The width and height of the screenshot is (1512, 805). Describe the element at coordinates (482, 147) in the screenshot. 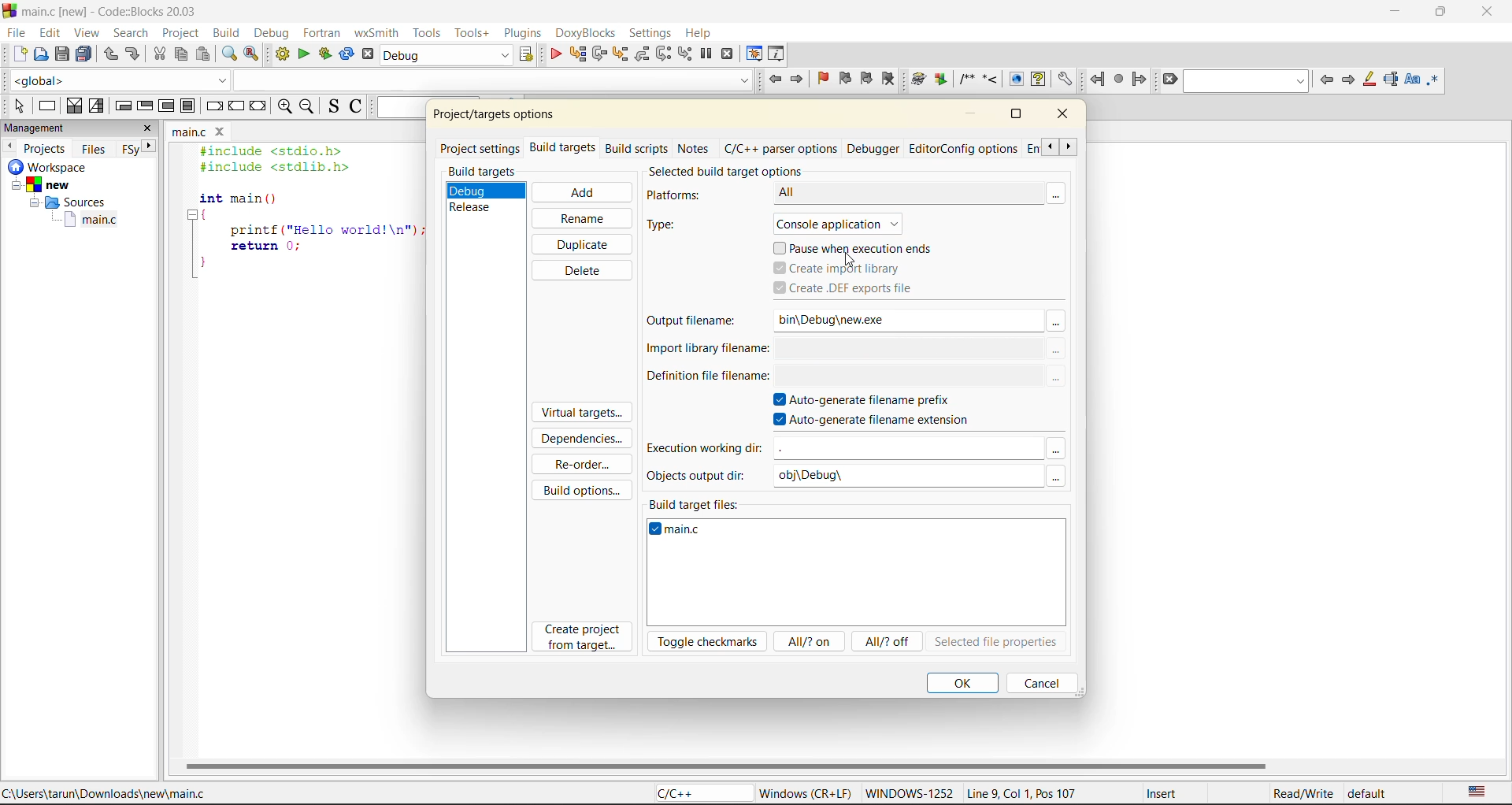

I see `project settings` at that location.